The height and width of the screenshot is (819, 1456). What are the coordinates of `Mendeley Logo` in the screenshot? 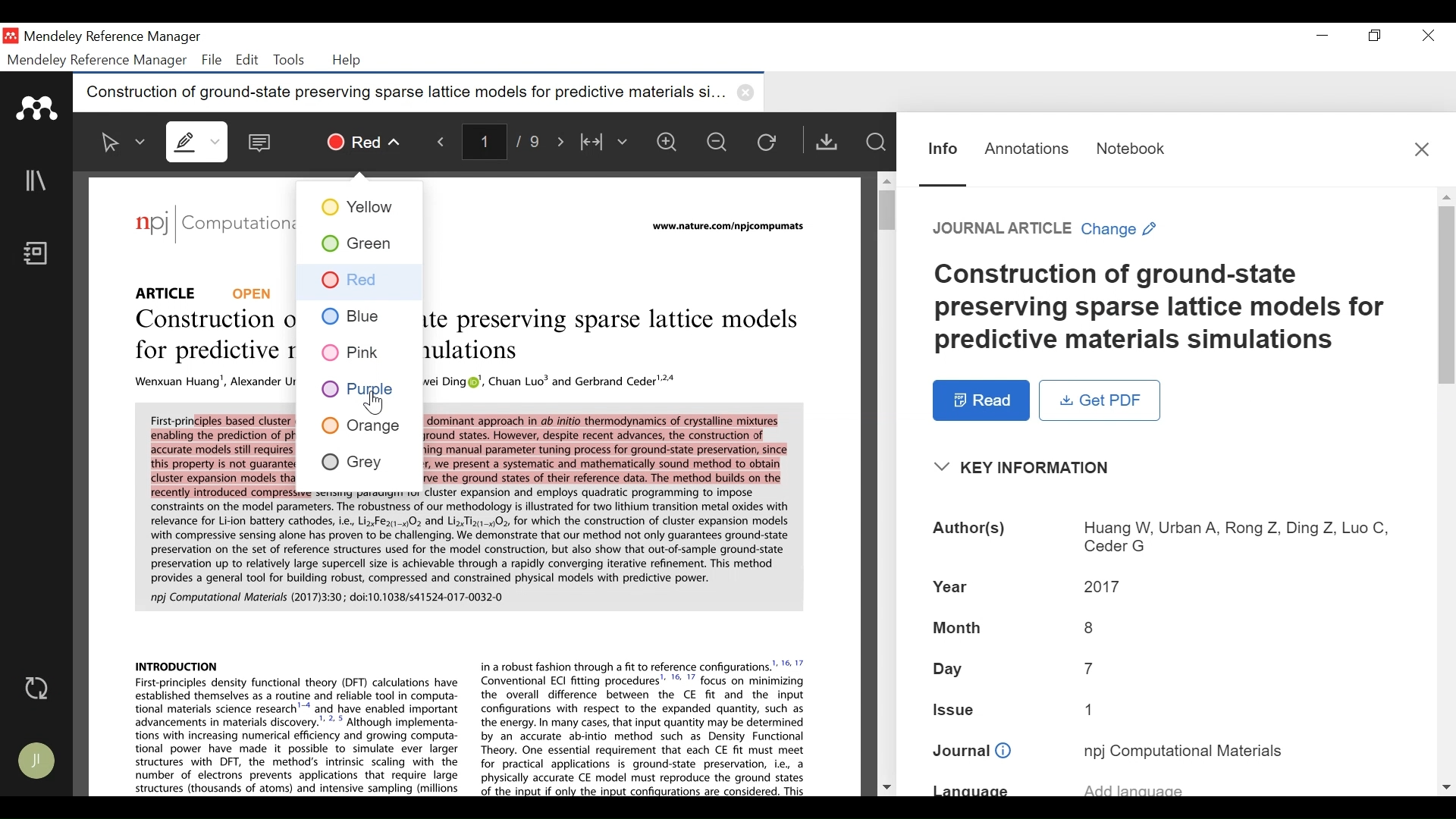 It's located at (37, 108).